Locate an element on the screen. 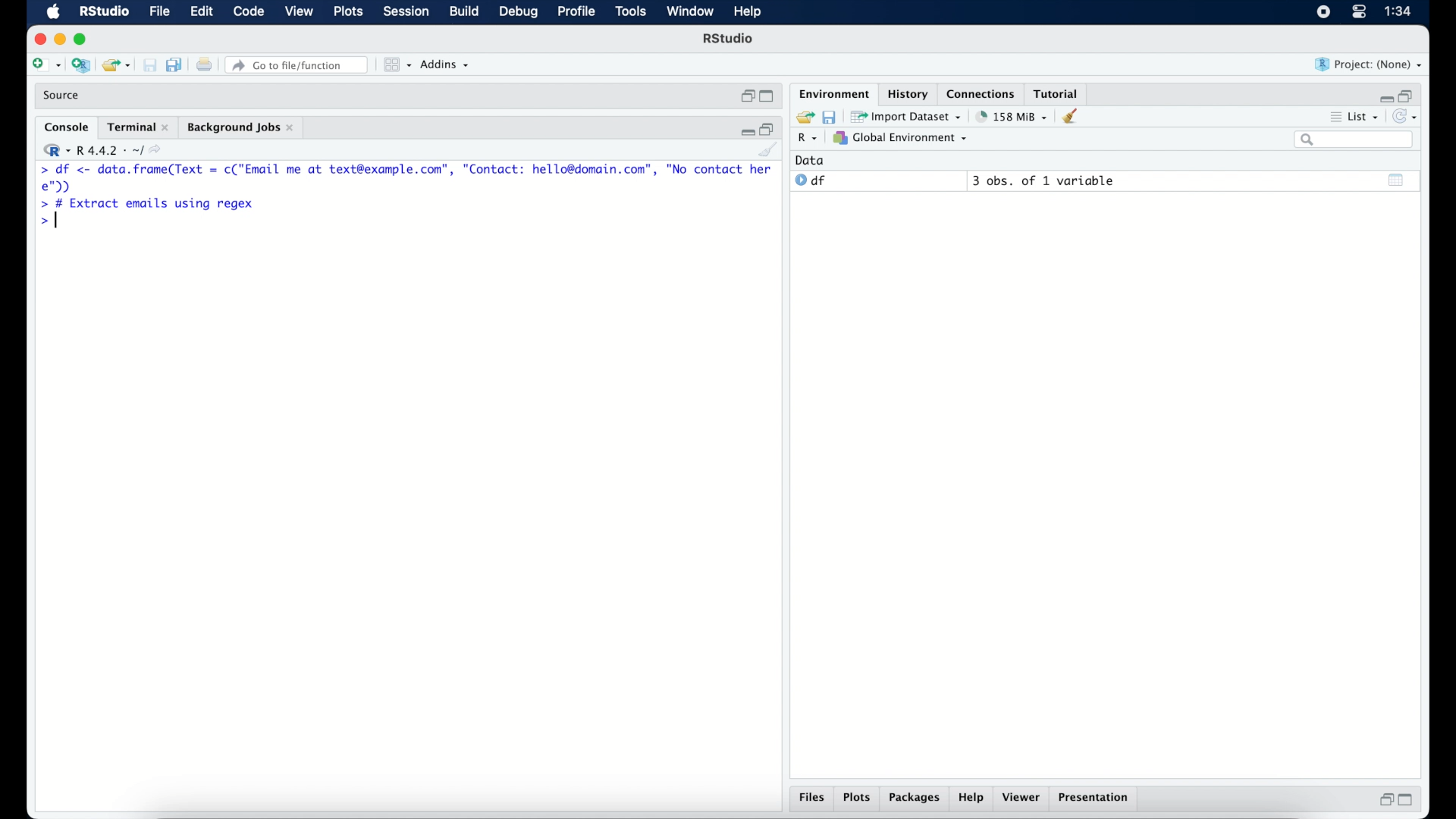  environment is located at coordinates (833, 93).